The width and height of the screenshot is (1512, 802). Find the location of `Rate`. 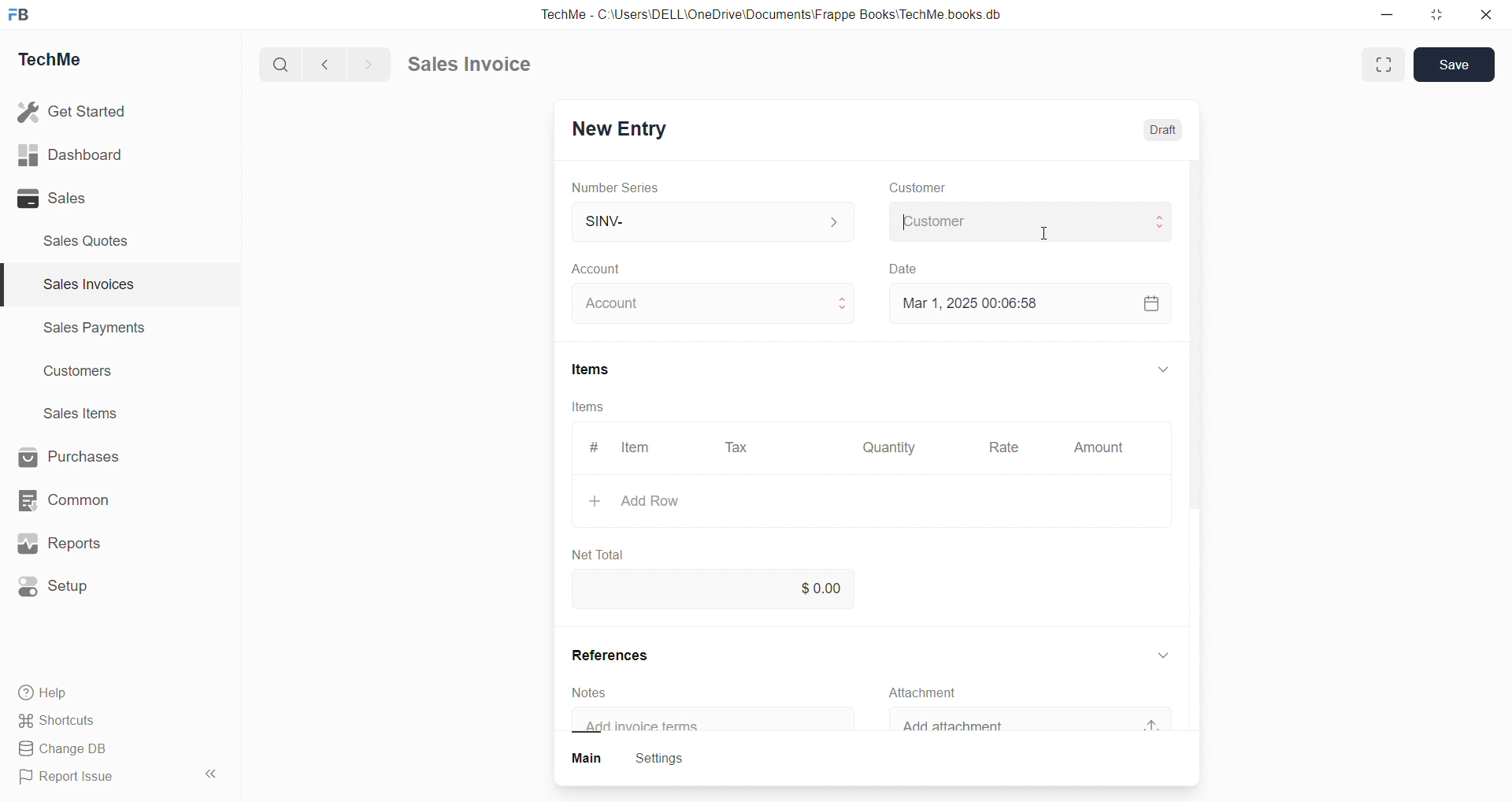

Rate is located at coordinates (1007, 449).